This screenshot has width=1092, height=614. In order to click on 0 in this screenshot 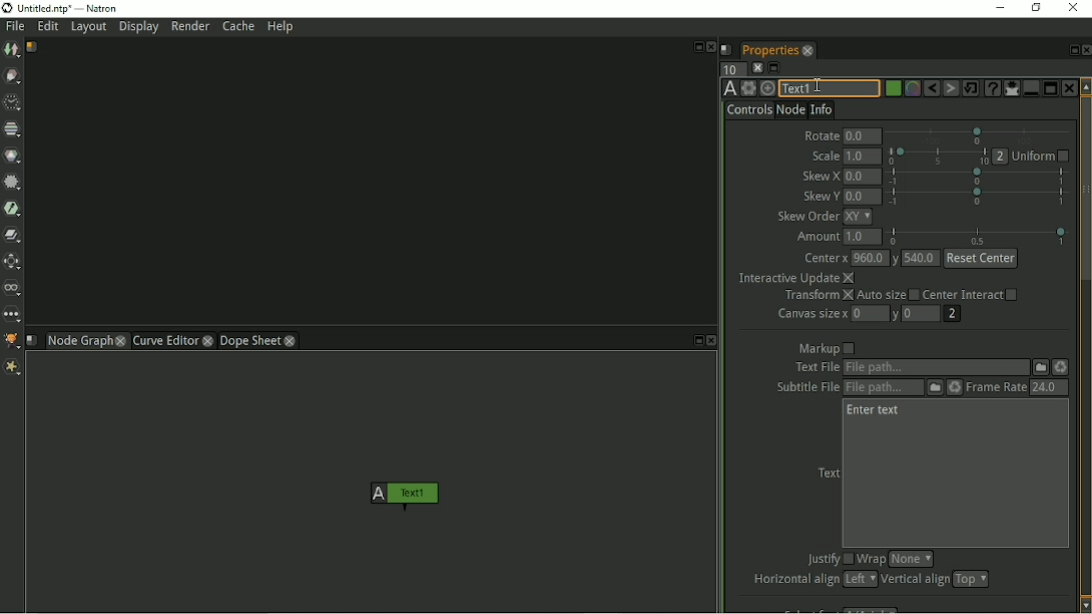, I will do `click(923, 314)`.